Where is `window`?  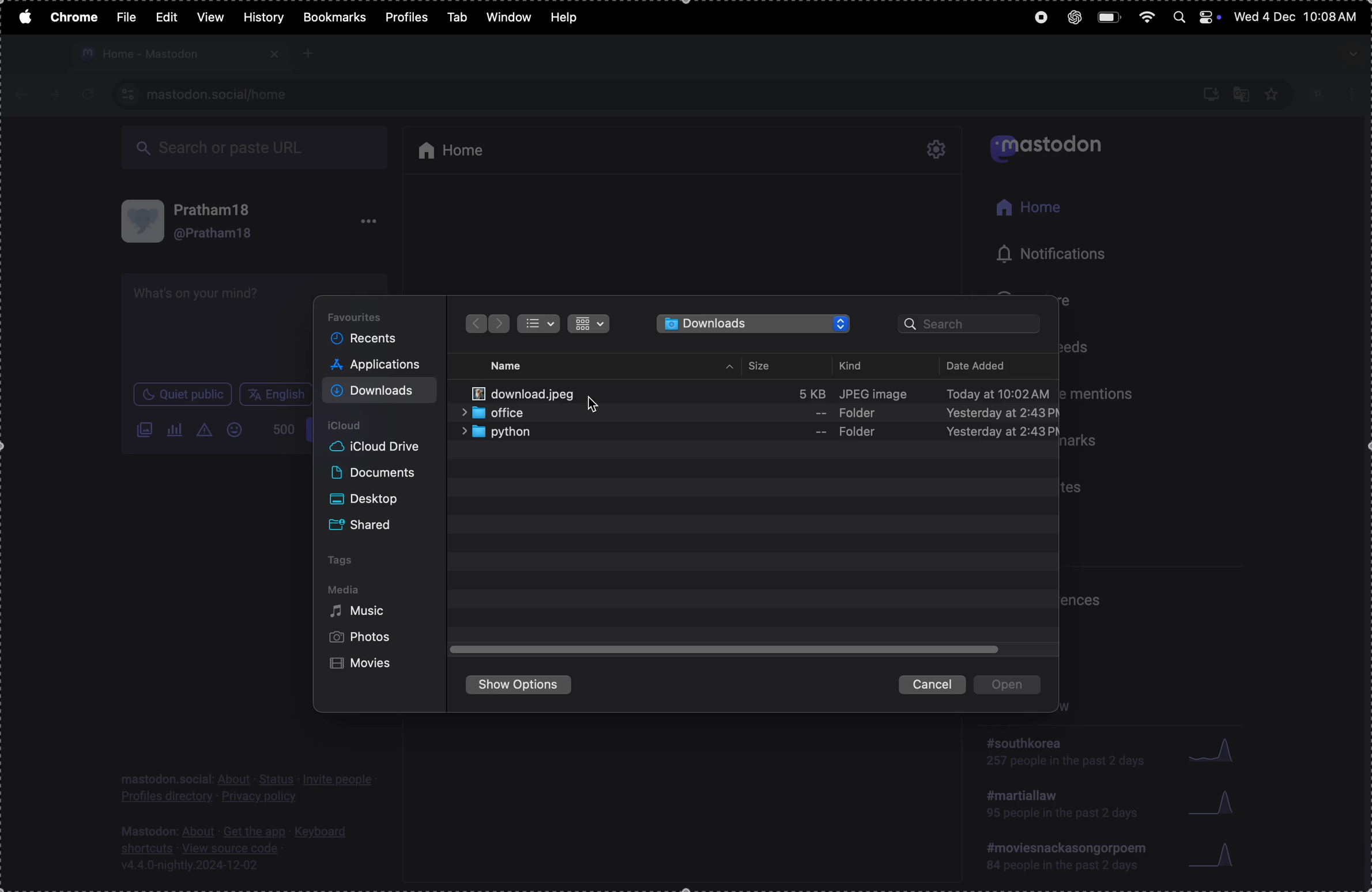
window is located at coordinates (509, 17).